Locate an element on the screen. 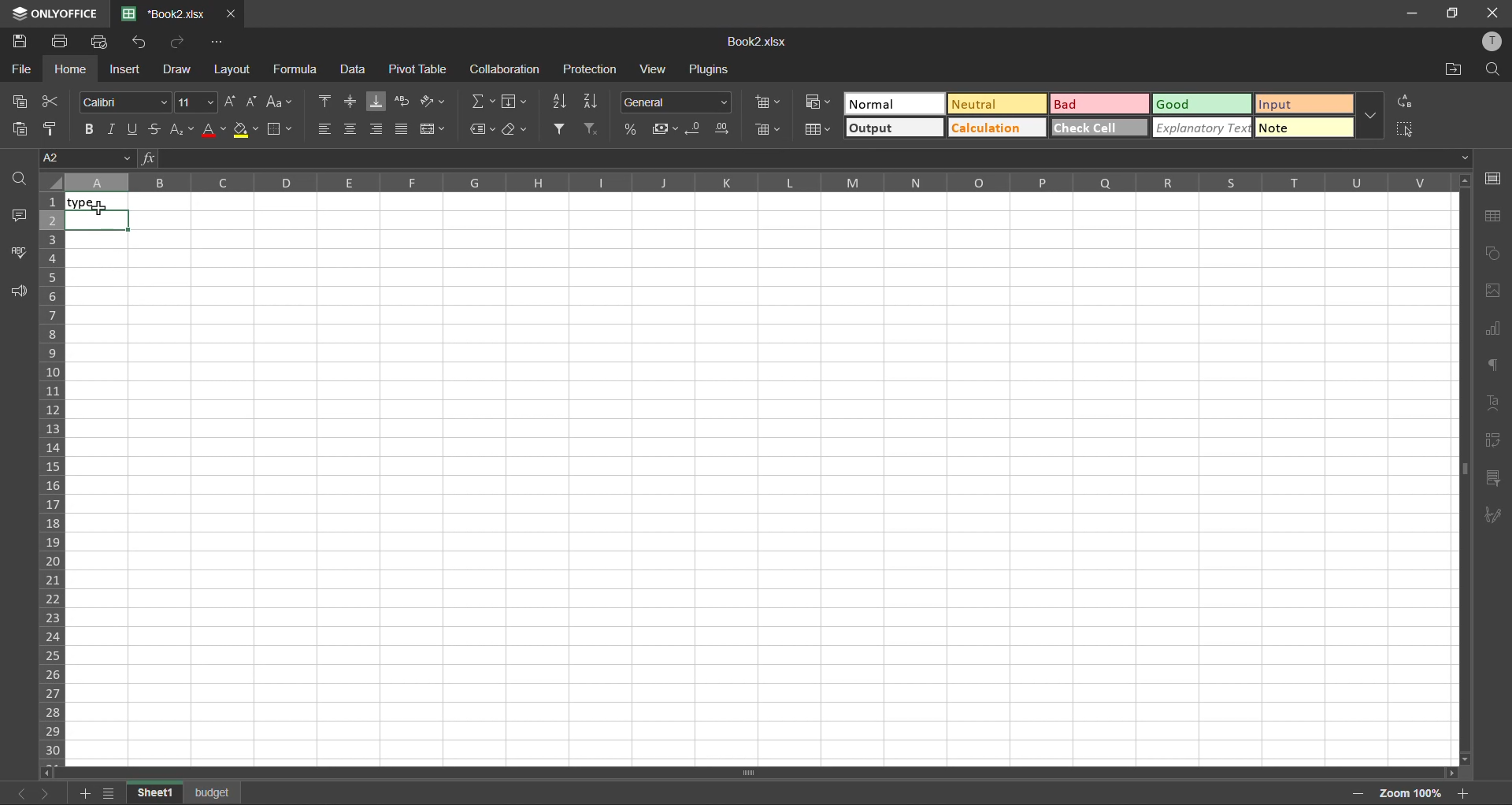  close tab is located at coordinates (232, 12).